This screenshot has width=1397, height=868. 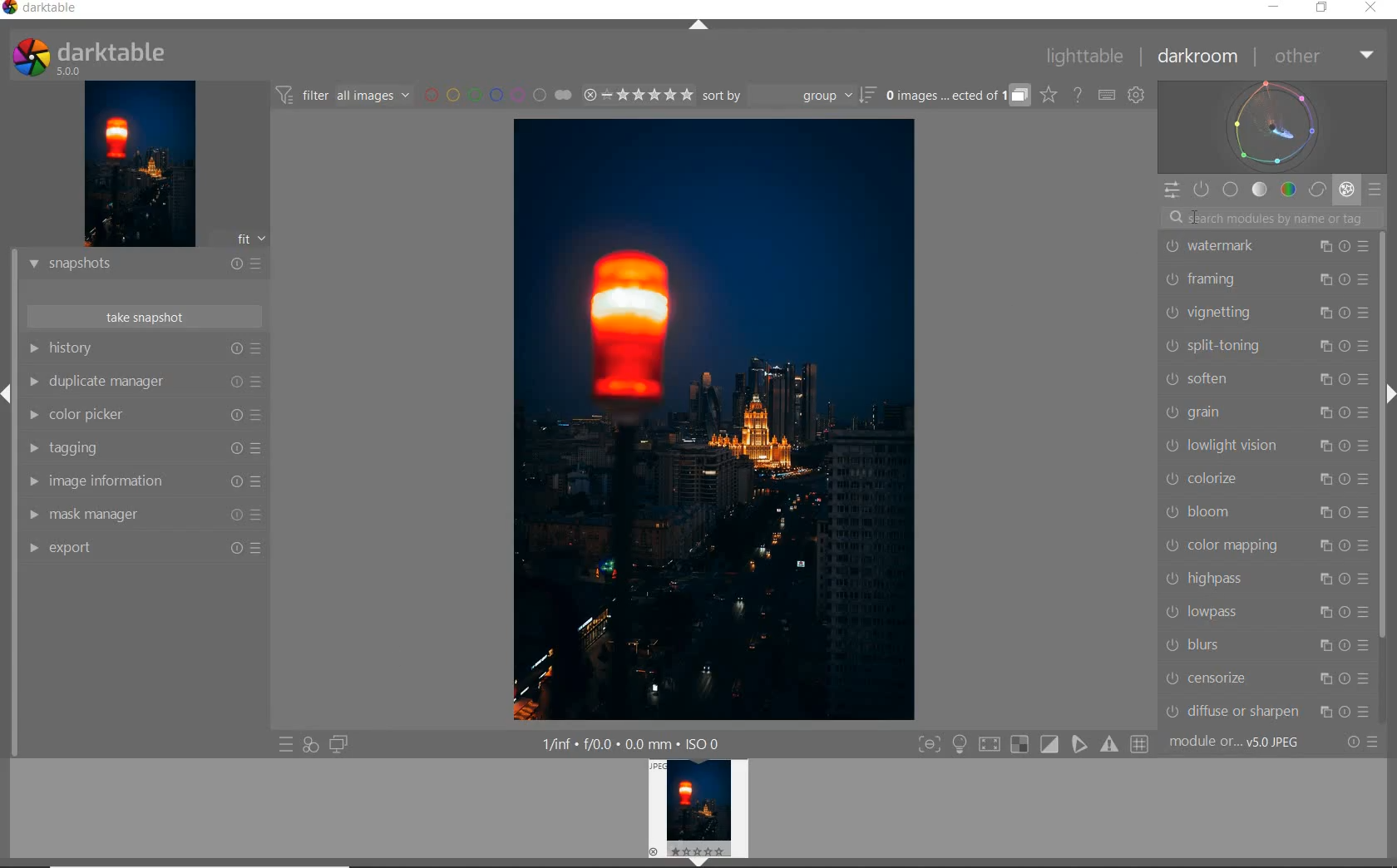 I want to click on Preset and reset, so click(x=261, y=518).